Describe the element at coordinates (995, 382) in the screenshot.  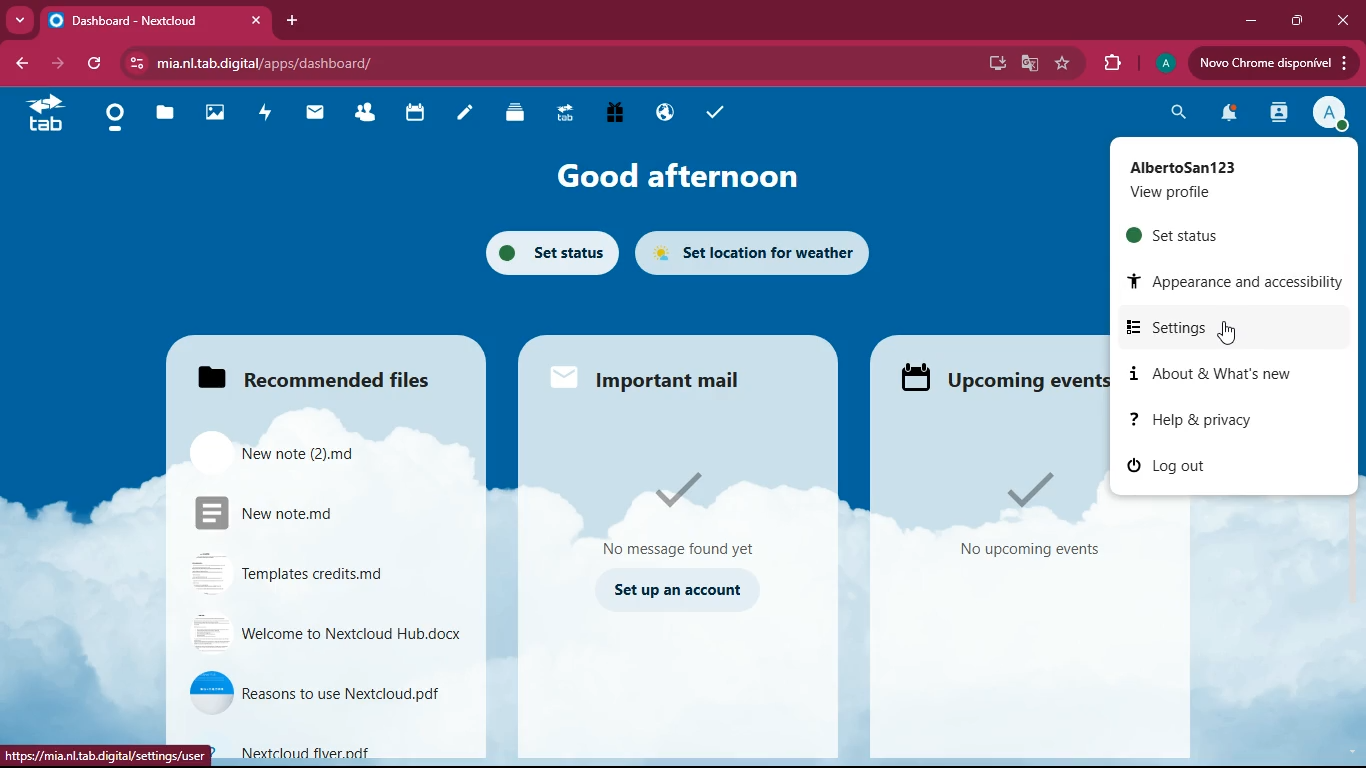
I see `events` at that location.